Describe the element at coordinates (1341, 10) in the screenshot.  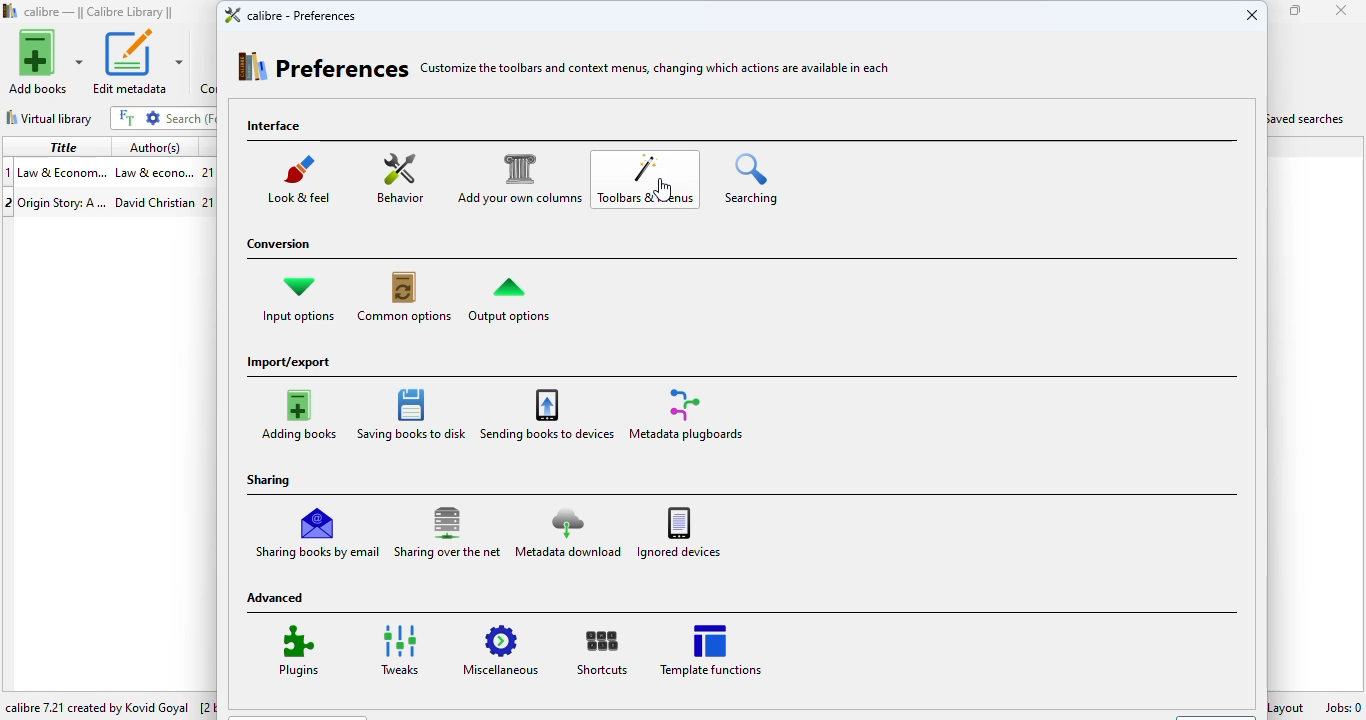
I see `close` at that location.